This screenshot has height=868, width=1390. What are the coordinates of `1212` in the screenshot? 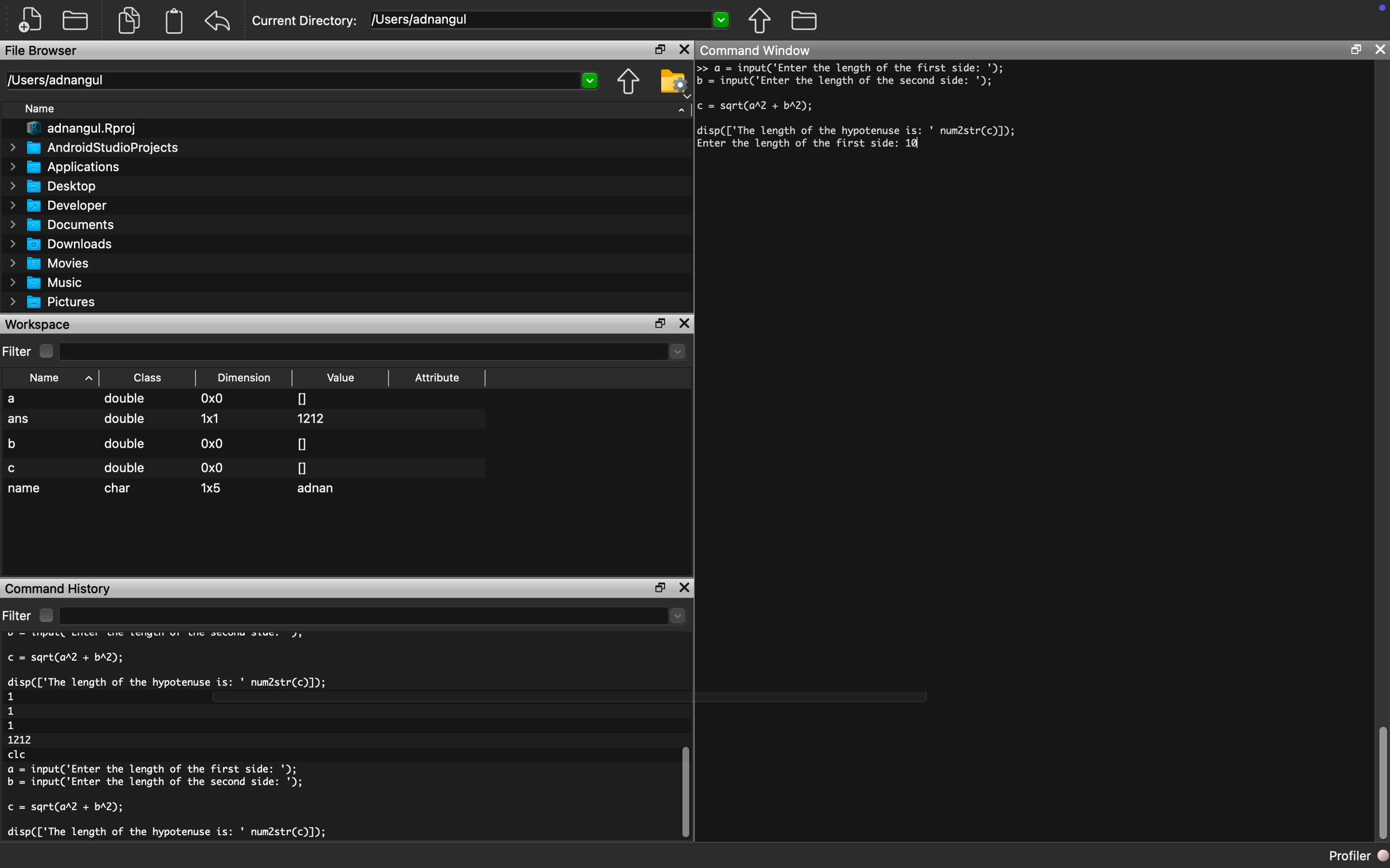 It's located at (314, 418).